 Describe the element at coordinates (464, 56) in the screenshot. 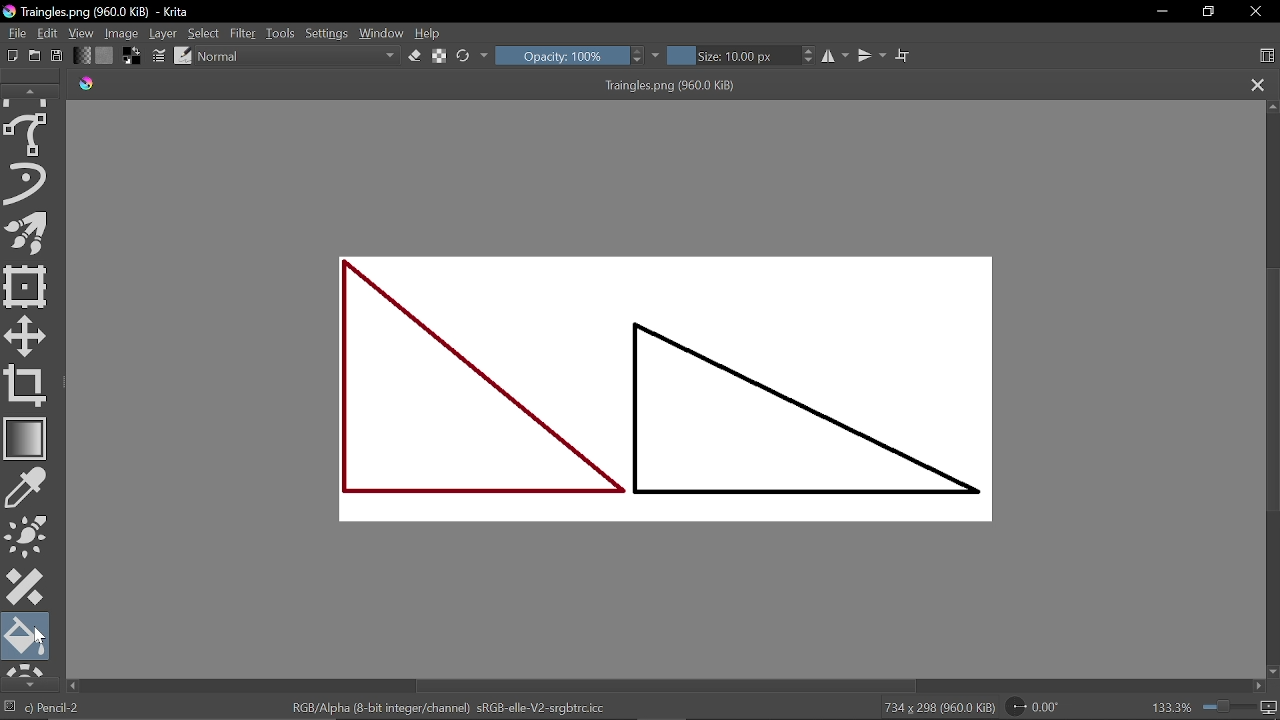

I see `Reload original preset` at that location.